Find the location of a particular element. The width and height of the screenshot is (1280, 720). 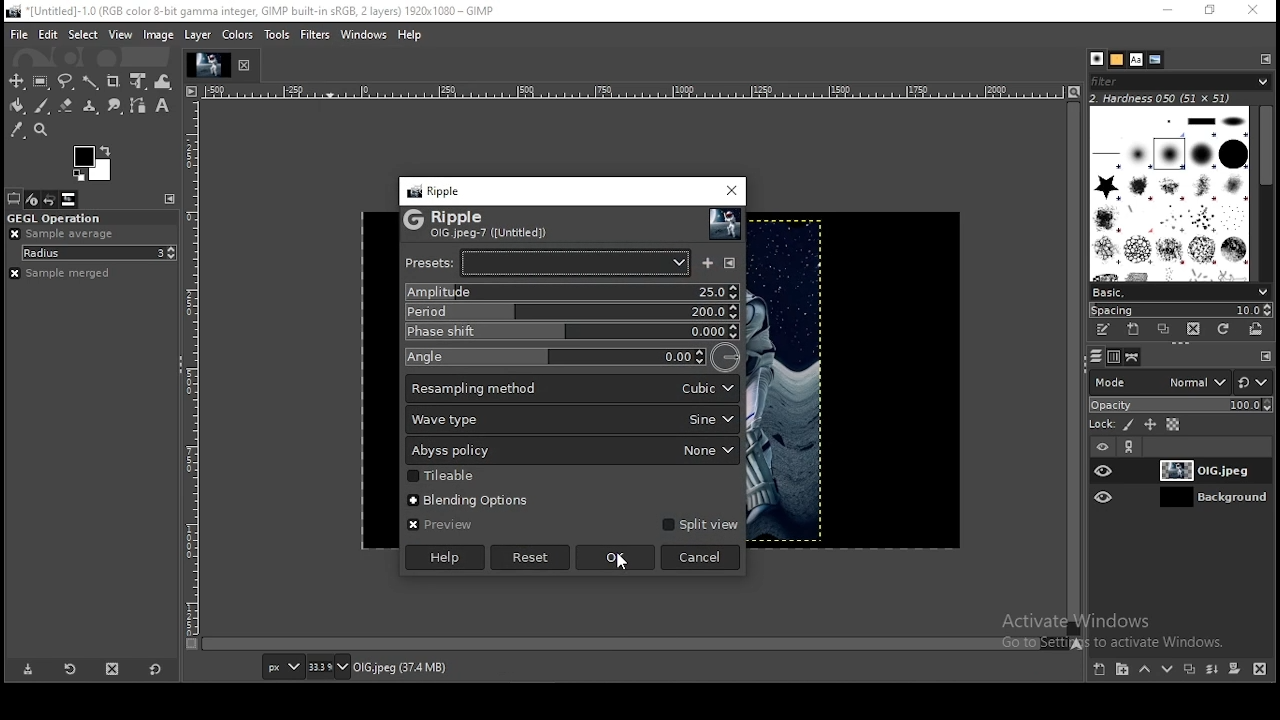

layer visibility is located at coordinates (1106, 470).